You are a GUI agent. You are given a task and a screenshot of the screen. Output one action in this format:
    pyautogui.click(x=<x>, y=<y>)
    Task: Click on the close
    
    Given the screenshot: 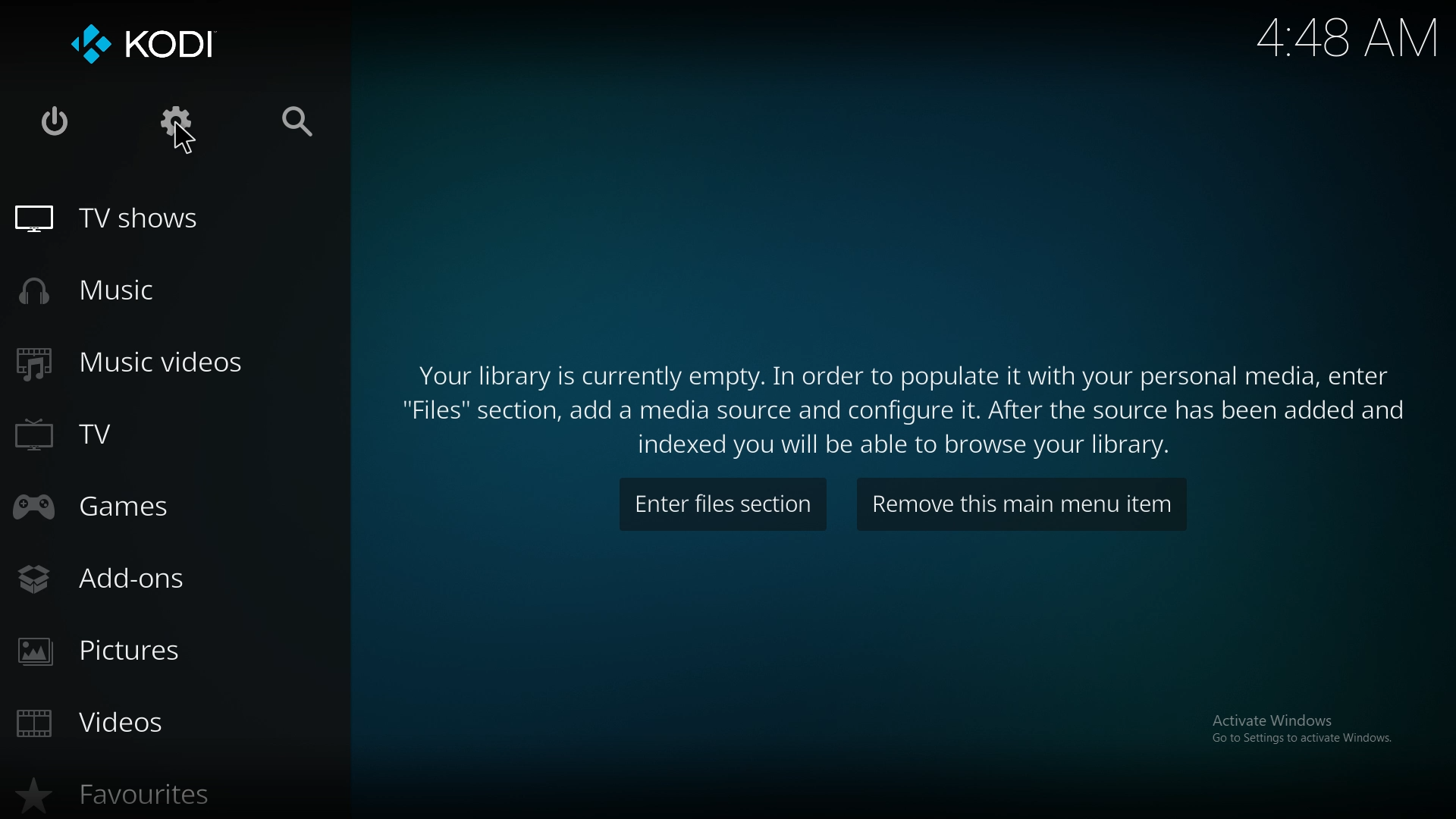 What is the action you would take?
    pyautogui.click(x=58, y=123)
    